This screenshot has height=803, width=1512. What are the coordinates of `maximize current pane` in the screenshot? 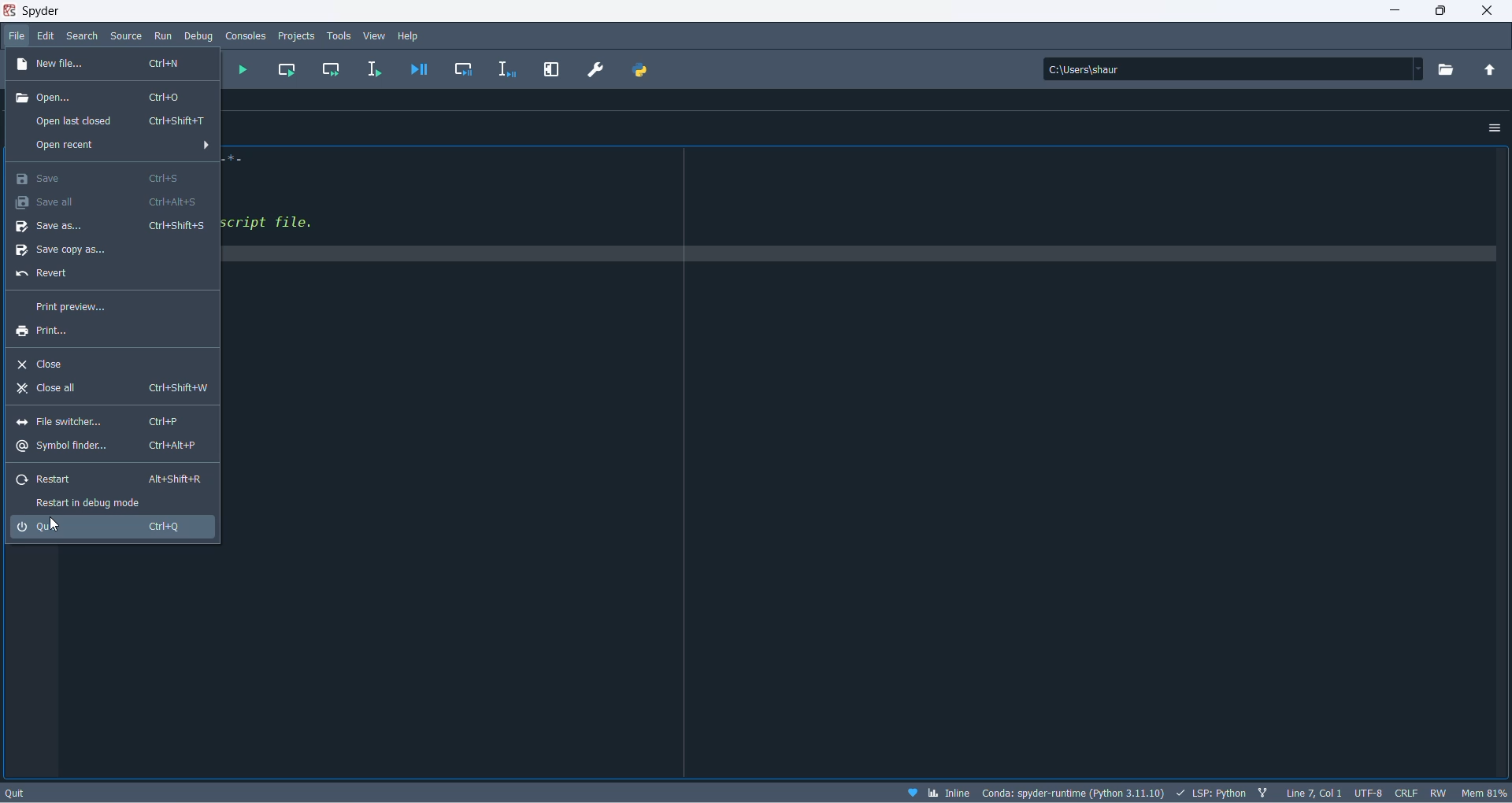 It's located at (552, 72).